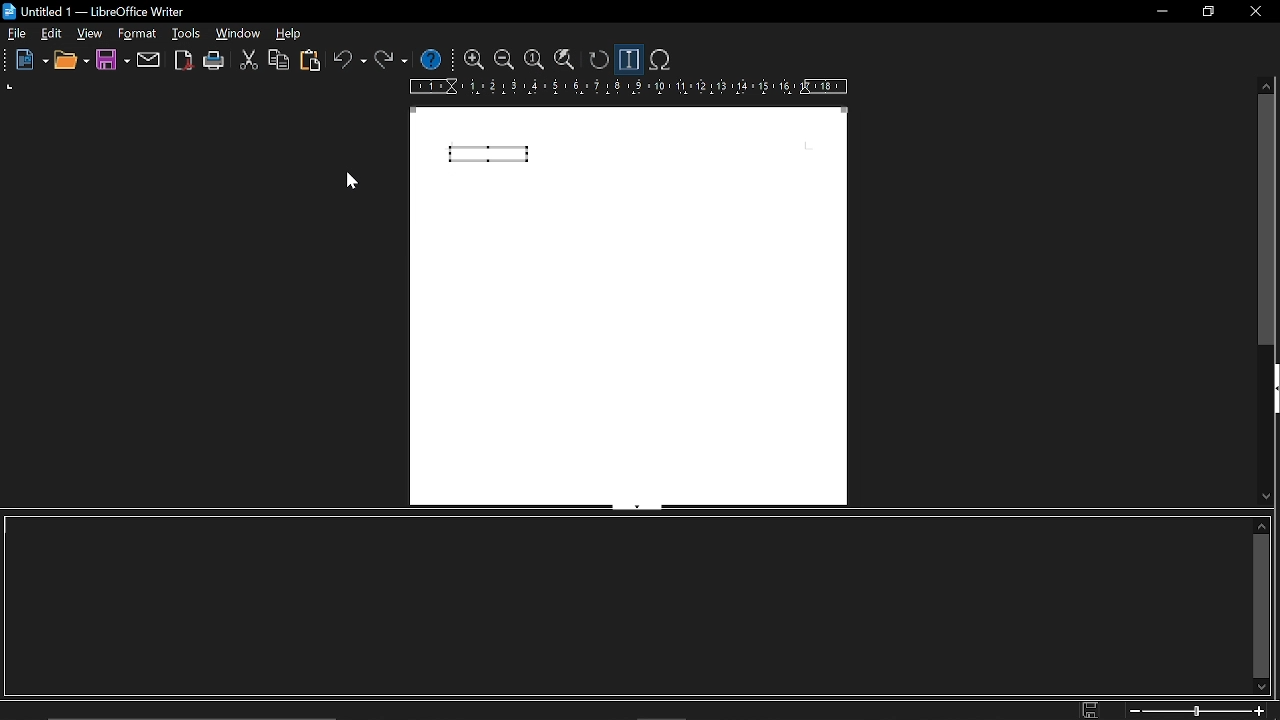 The image size is (1280, 720). Describe the element at coordinates (1272, 391) in the screenshot. I see `expand sidebar` at that location.